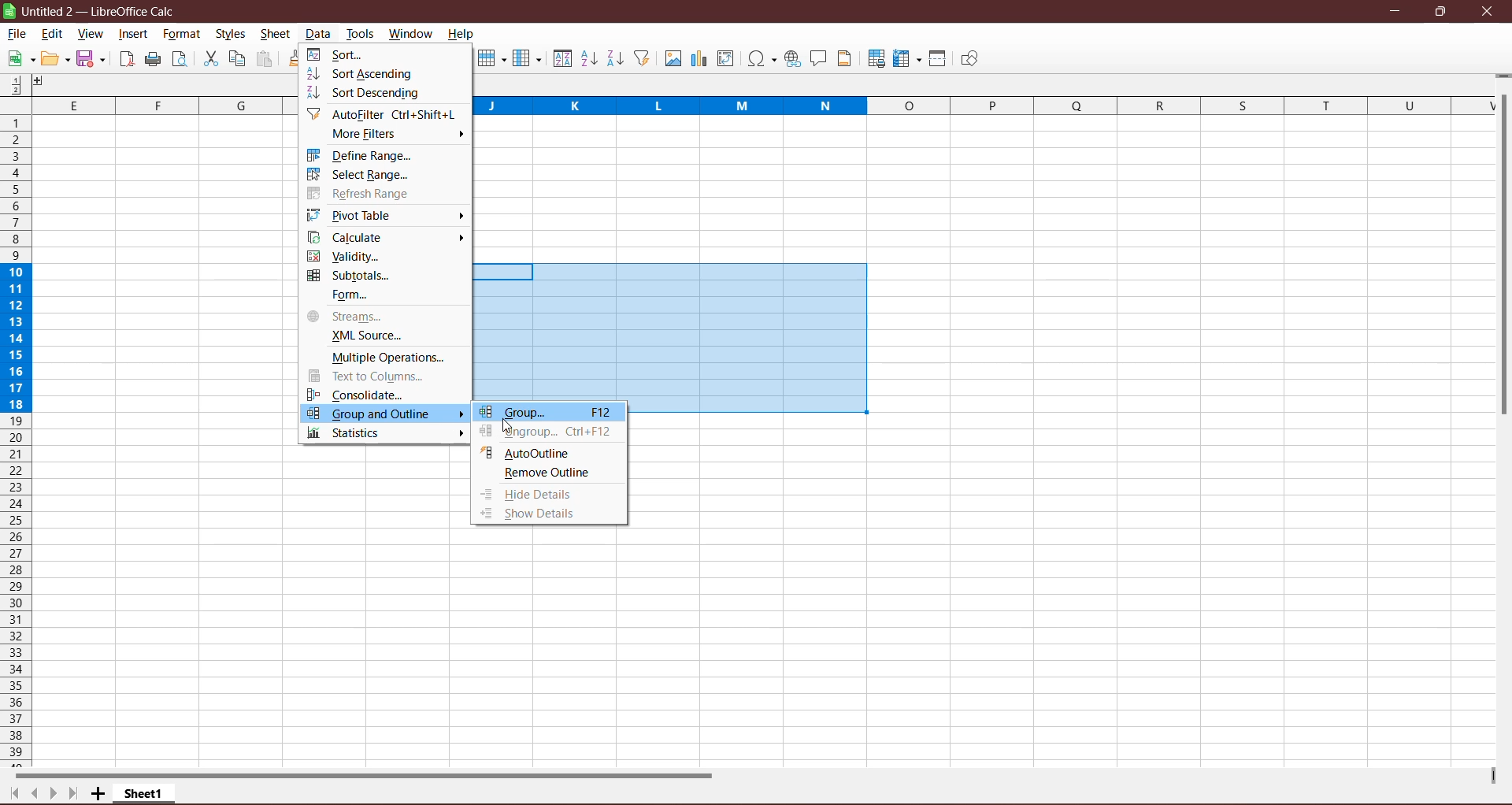  Describe the element at coordinates (11, 794) in the screenshot. I see `Scroll to first page` at that location.